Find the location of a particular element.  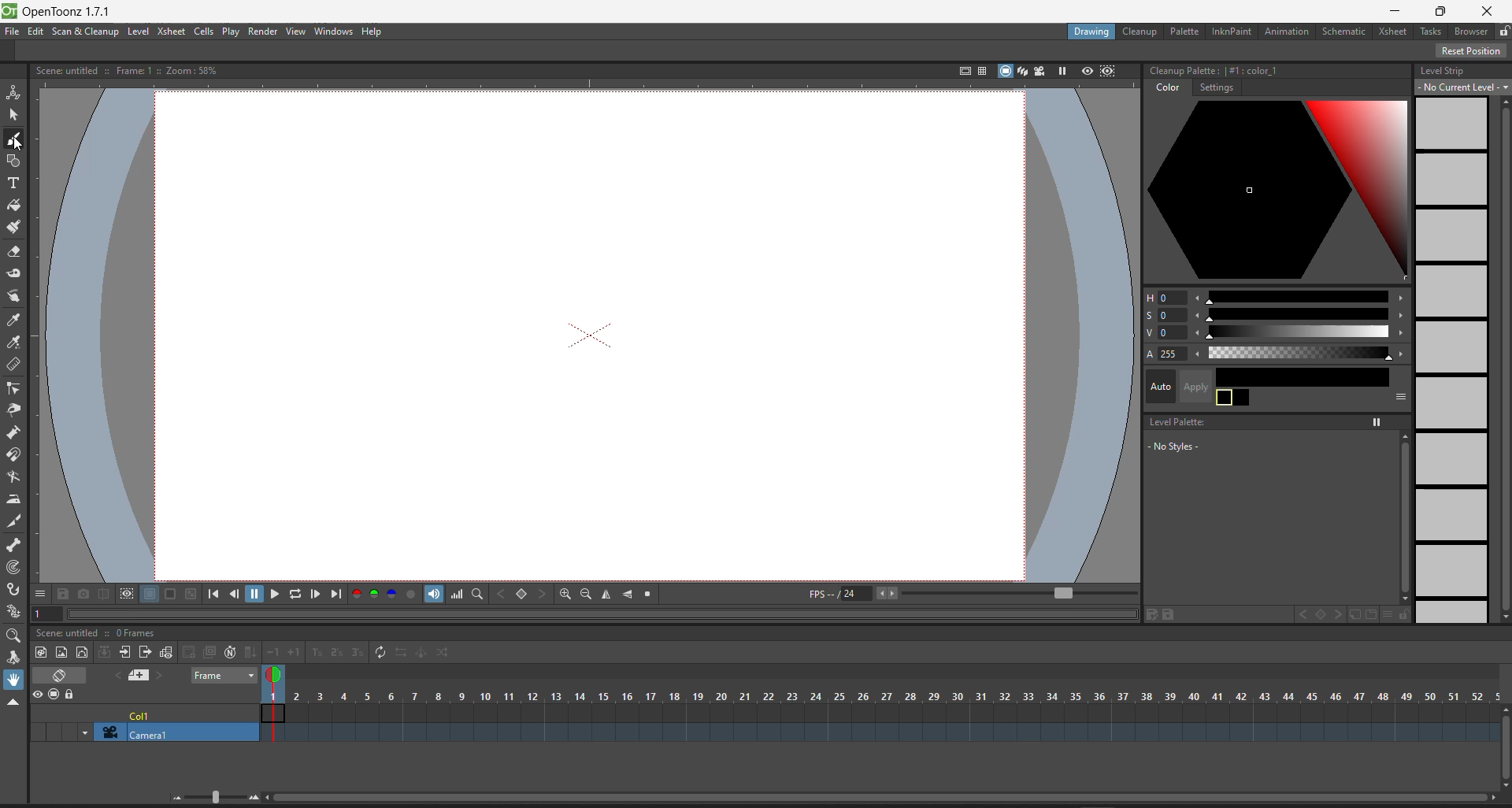

keyframe indicators is located at coordinates (891, 712).